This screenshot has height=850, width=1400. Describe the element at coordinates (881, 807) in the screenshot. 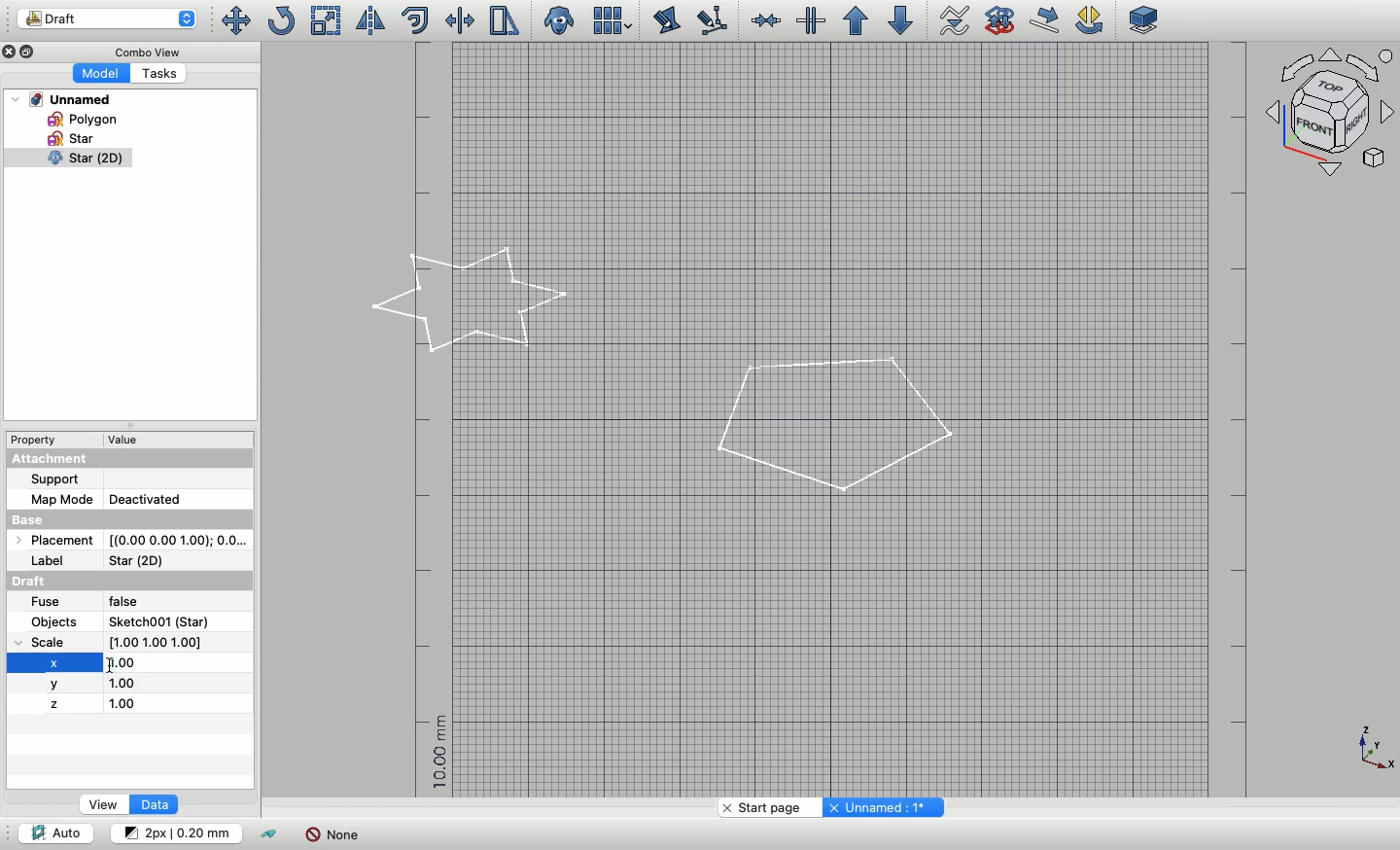

I see `Unnamed: 1` at that location.